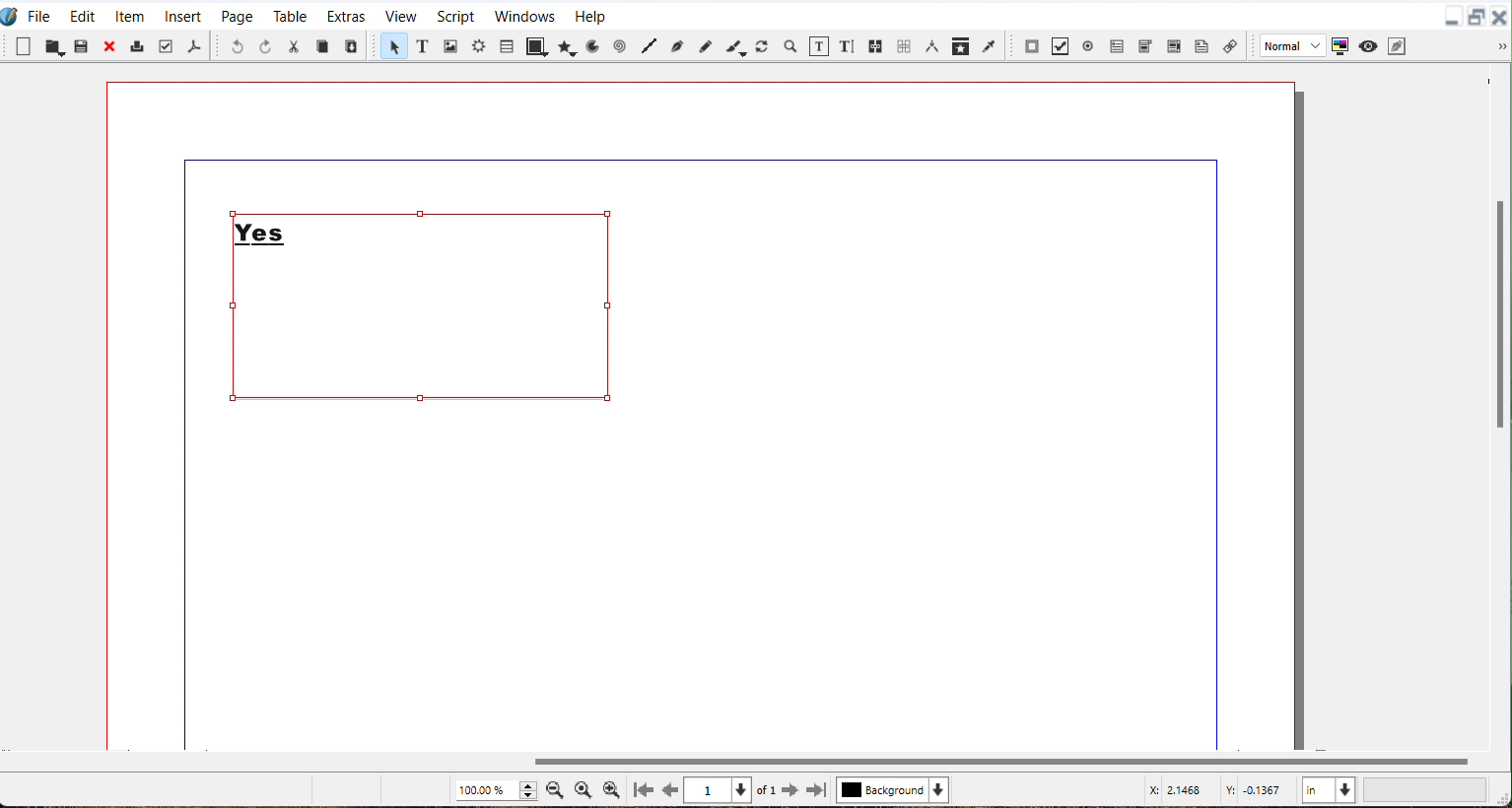 This screenshot has height=808, width=1512. What do you see at coordinates (391, 47) in the screenshot?
I see `Select Item` at bounding box center [391, 47].